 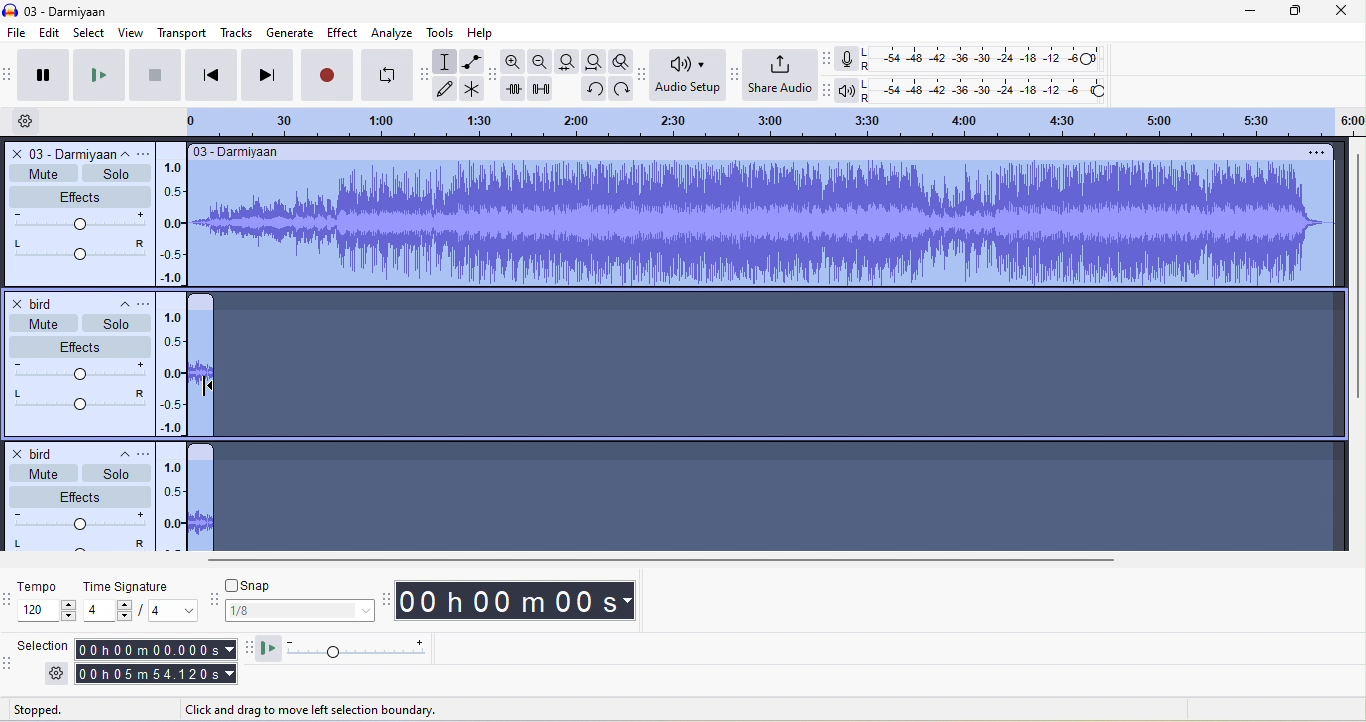 I want to click on 00 h 00 m 00 s , so click(x=522, y=603).